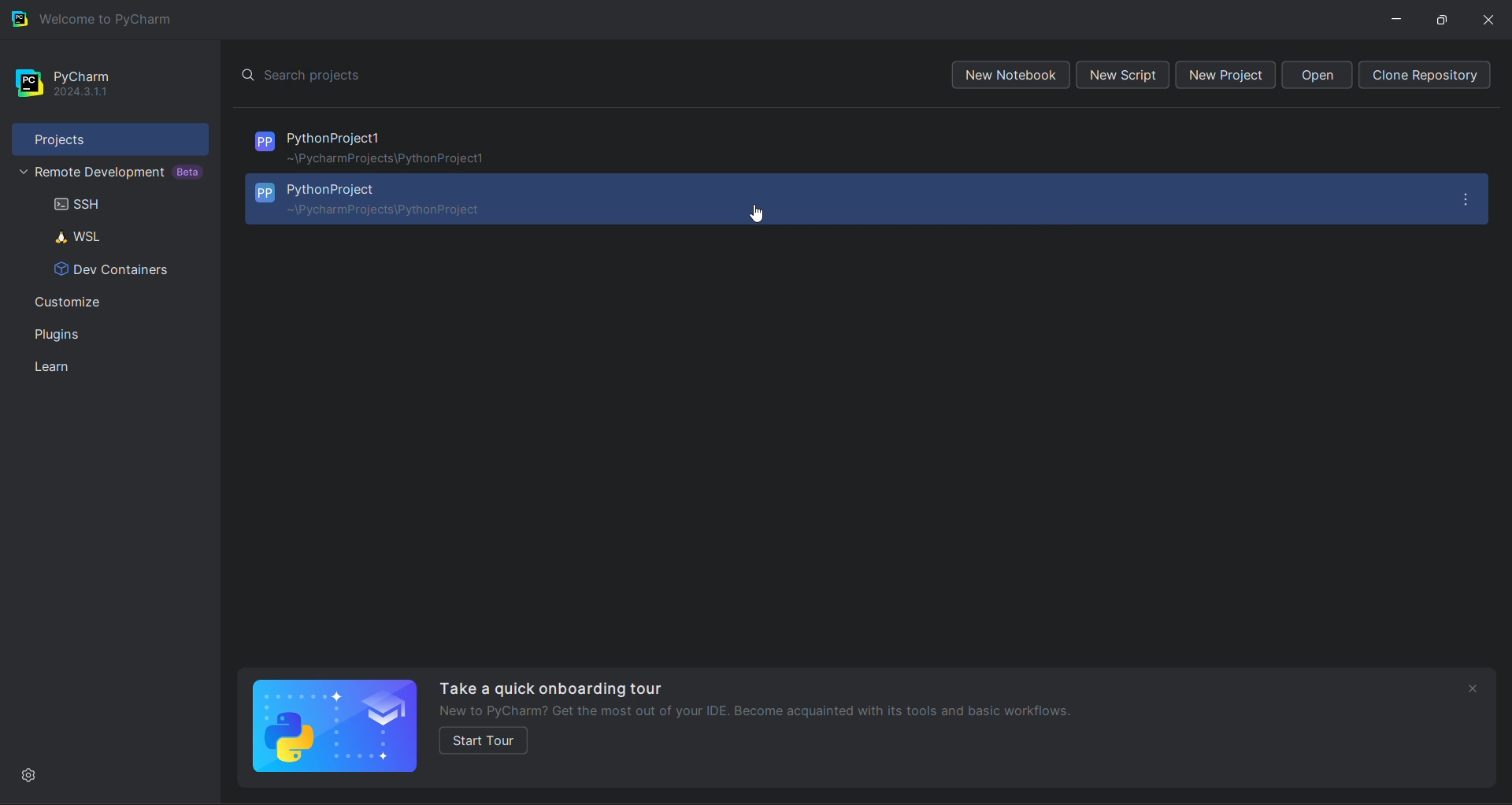 This screenshot has width=1512, height=805. What do you see at coordinates (112, 236) in the screenshot?
I see `wsl option` at bounding box center [112, 236].